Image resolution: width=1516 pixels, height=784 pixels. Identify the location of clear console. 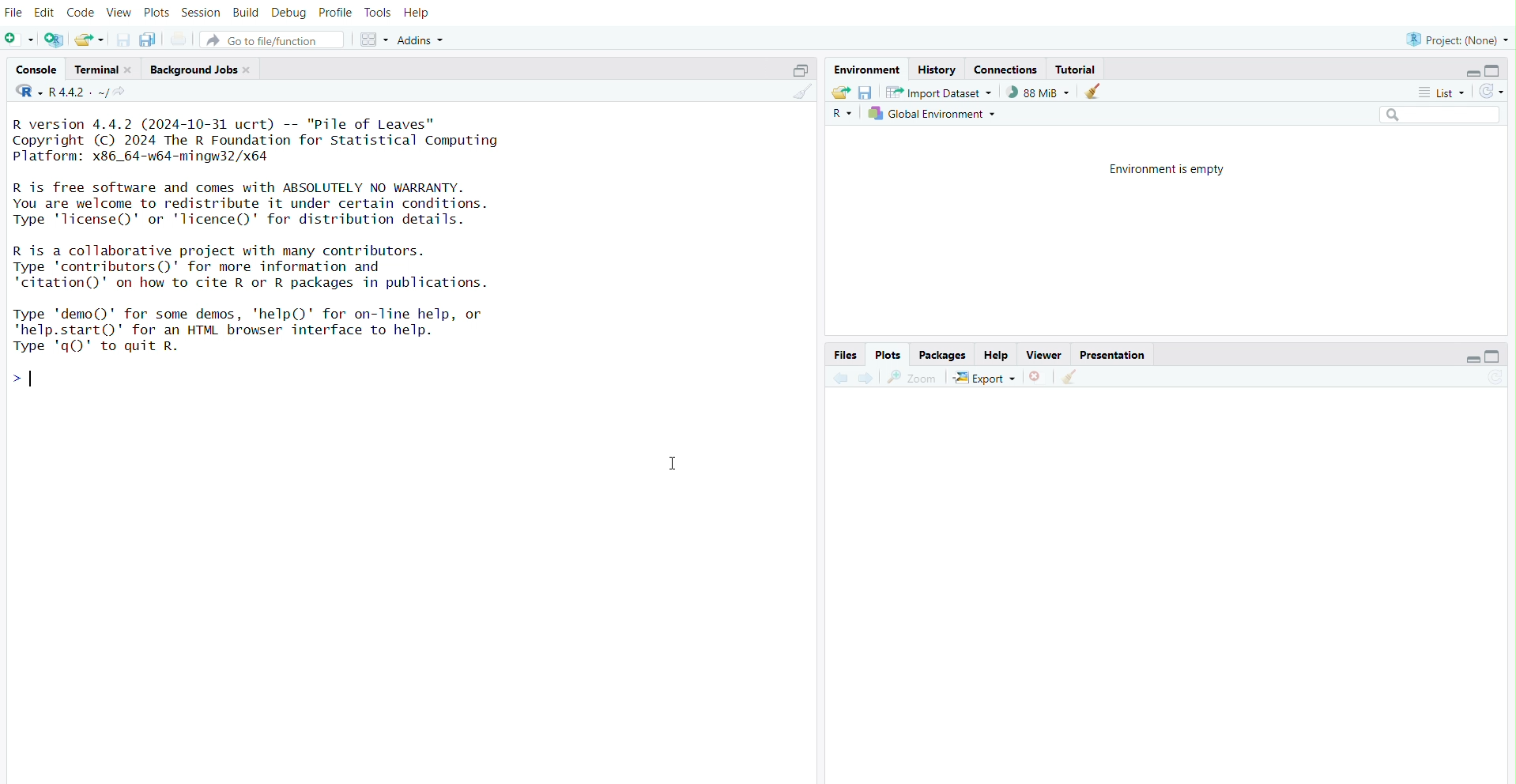
(799, 92).